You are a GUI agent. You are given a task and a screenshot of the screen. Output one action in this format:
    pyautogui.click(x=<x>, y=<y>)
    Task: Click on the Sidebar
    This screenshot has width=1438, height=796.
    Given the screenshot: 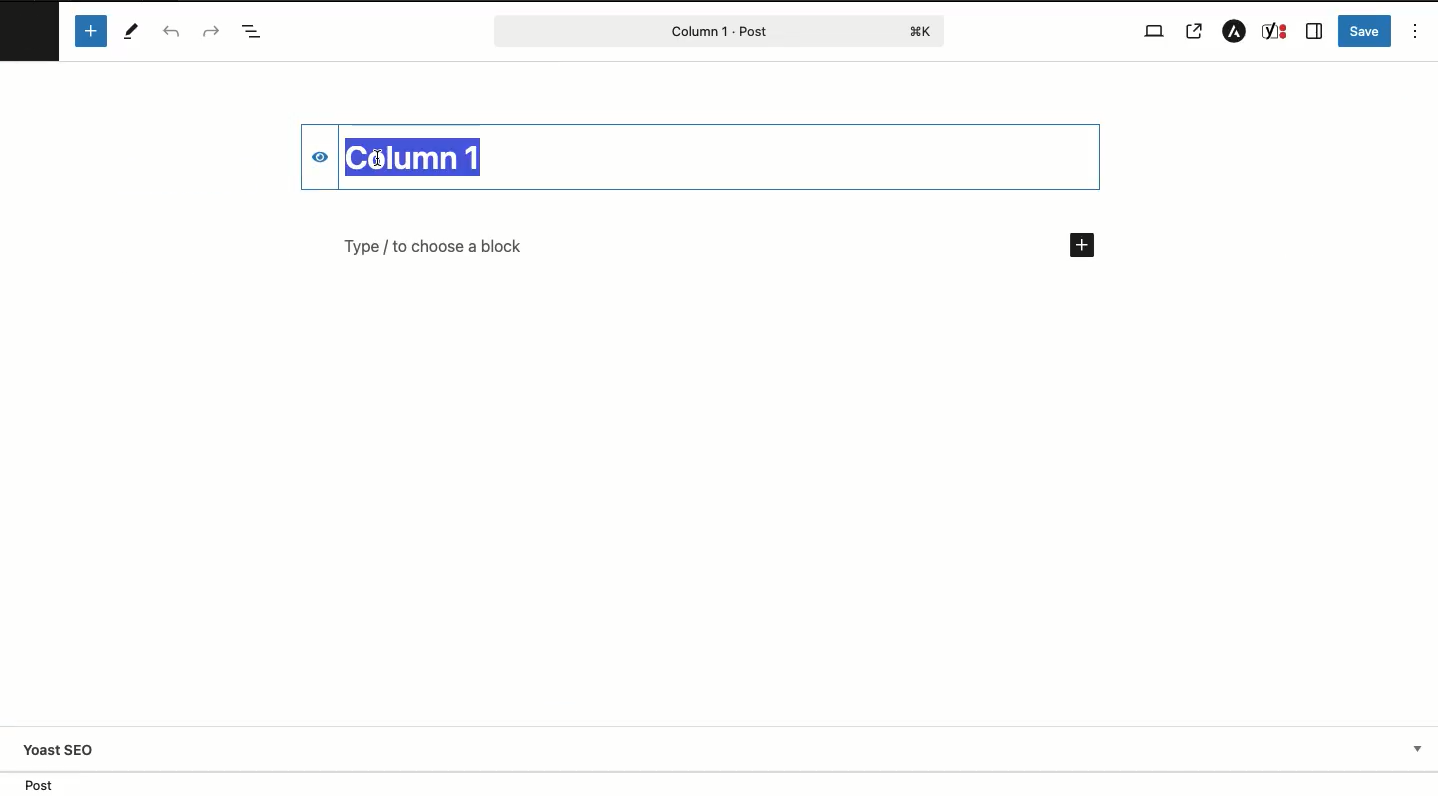 What is the action you would take?
    pyautogui.click(x=1315, y=31)
    